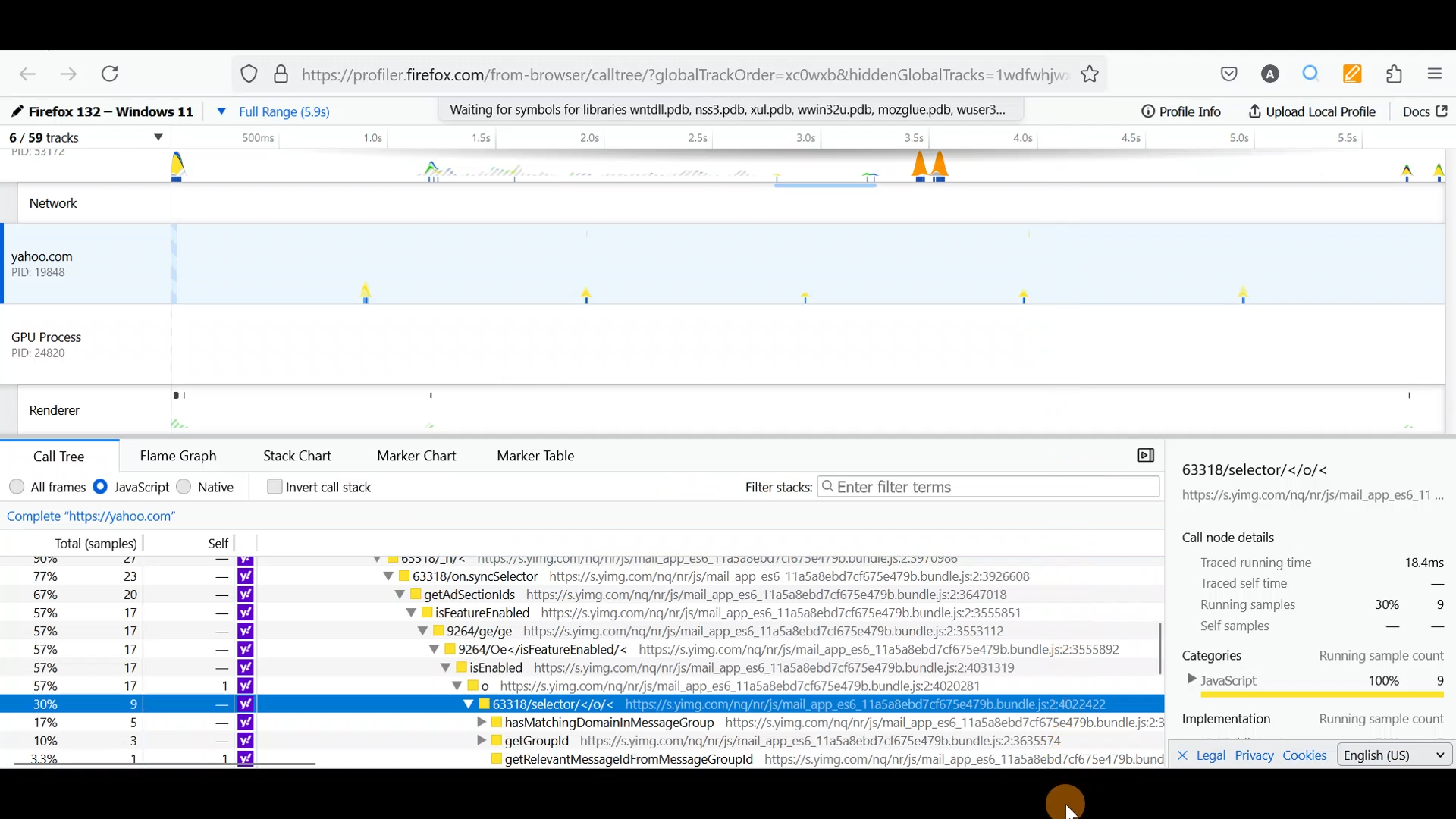 The image size is (1456, 819). I want to click on GPU Process
PID: 24820, so click(62, 342).